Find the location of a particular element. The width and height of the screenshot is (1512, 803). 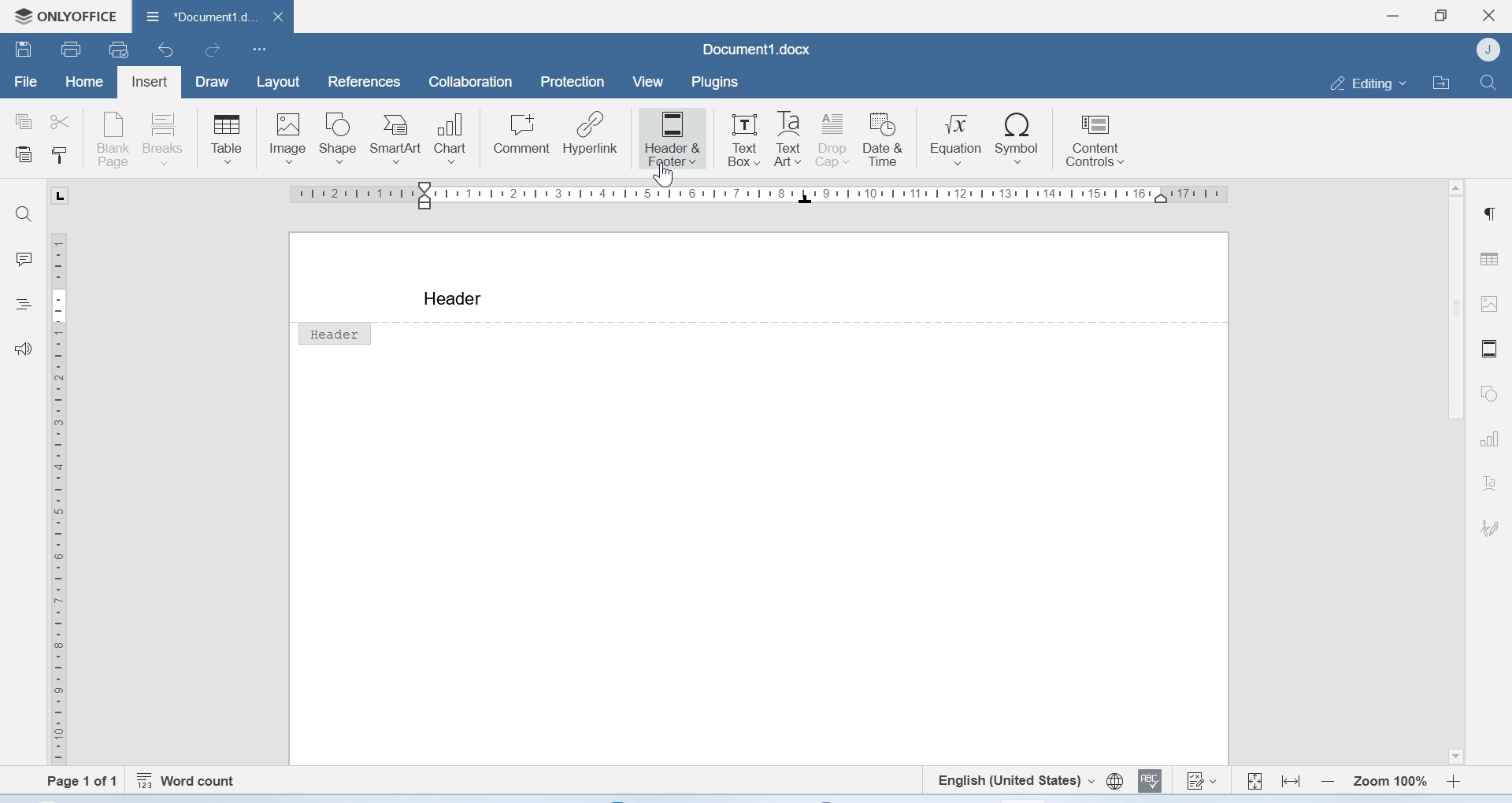

Customize Quick Access Toolbar is located at coordinates (260, 50).